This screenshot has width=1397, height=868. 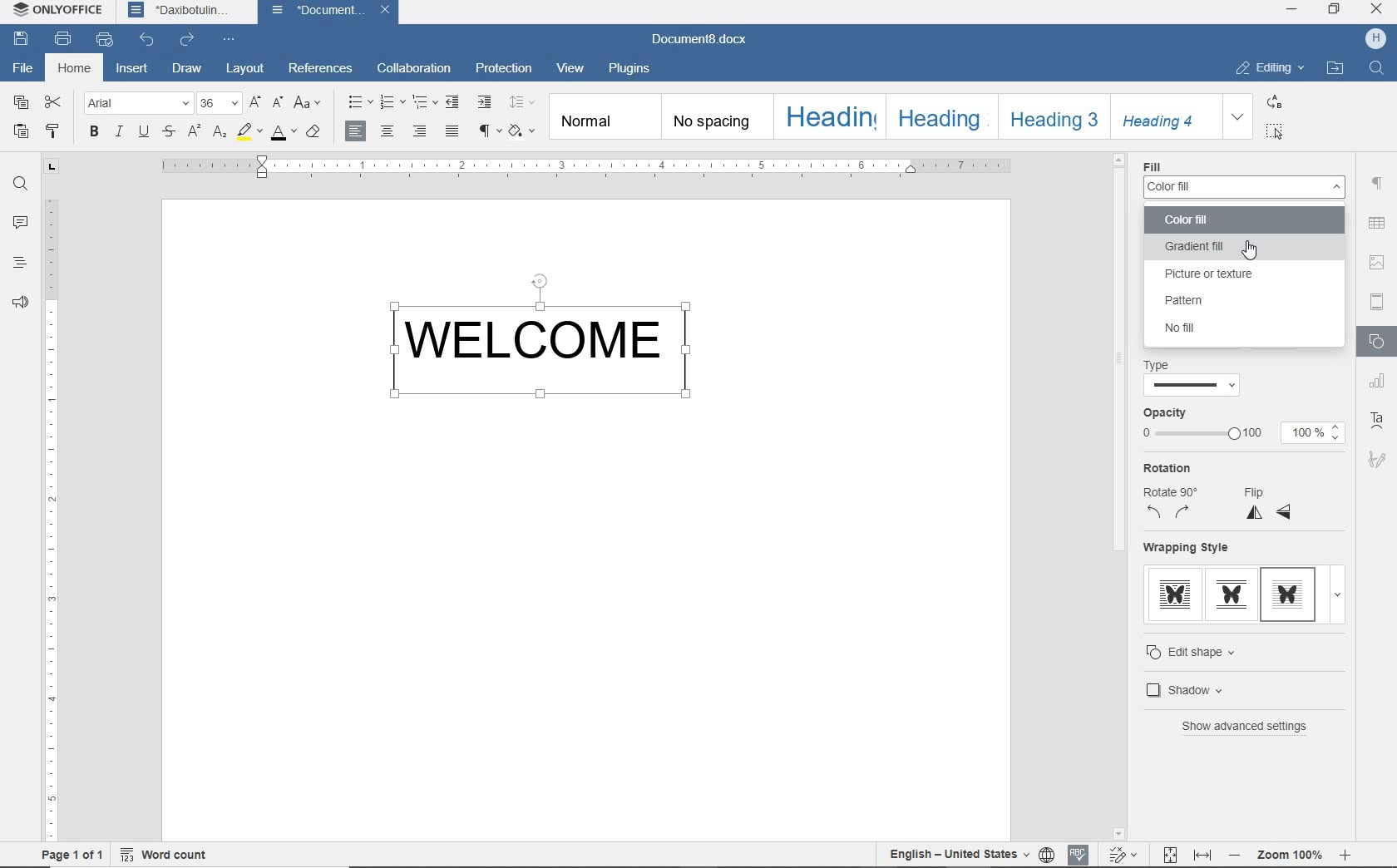 I want to click on picture or texture, so click(x=1221, y=274).